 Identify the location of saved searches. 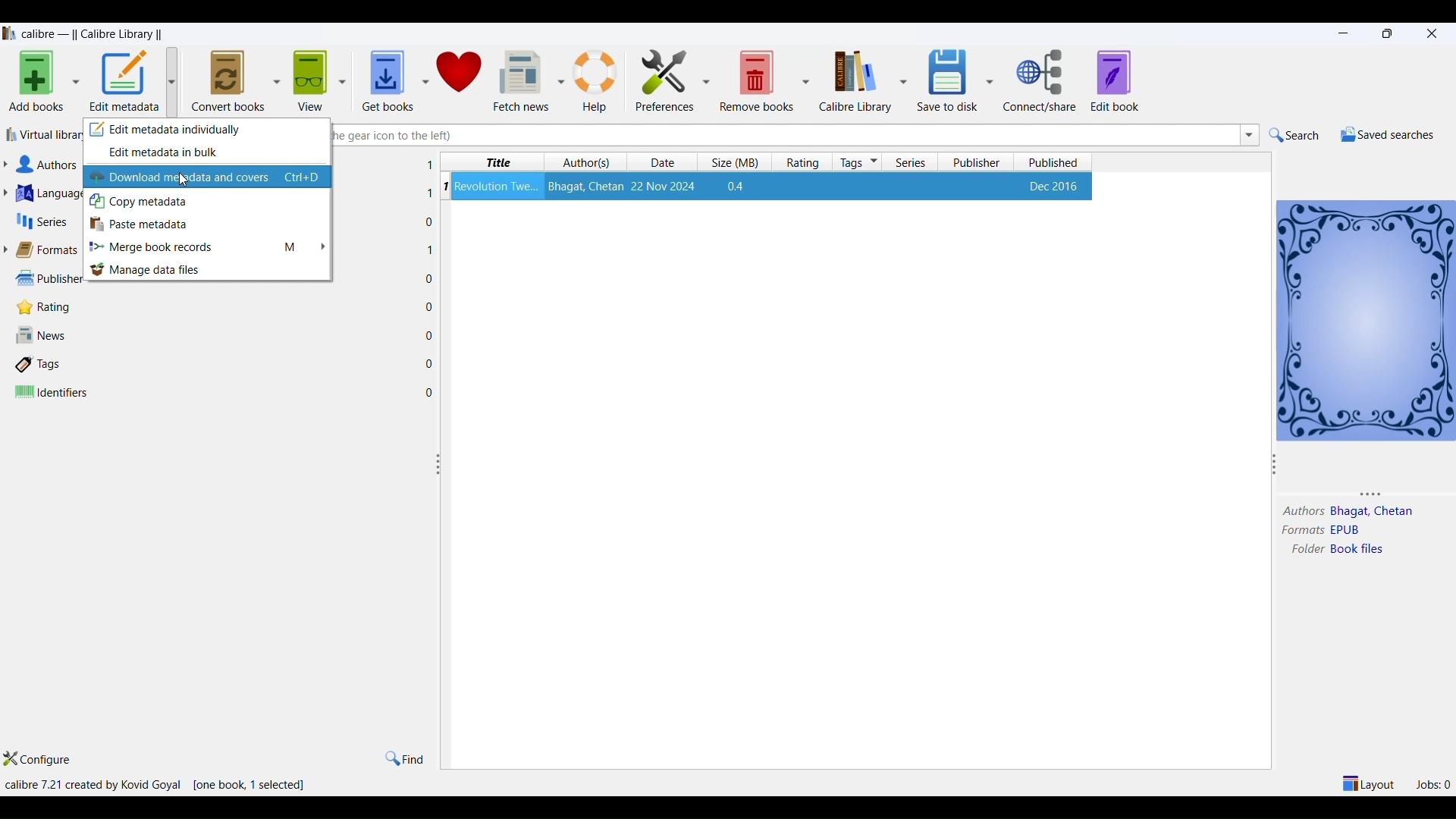
(1384, 133).